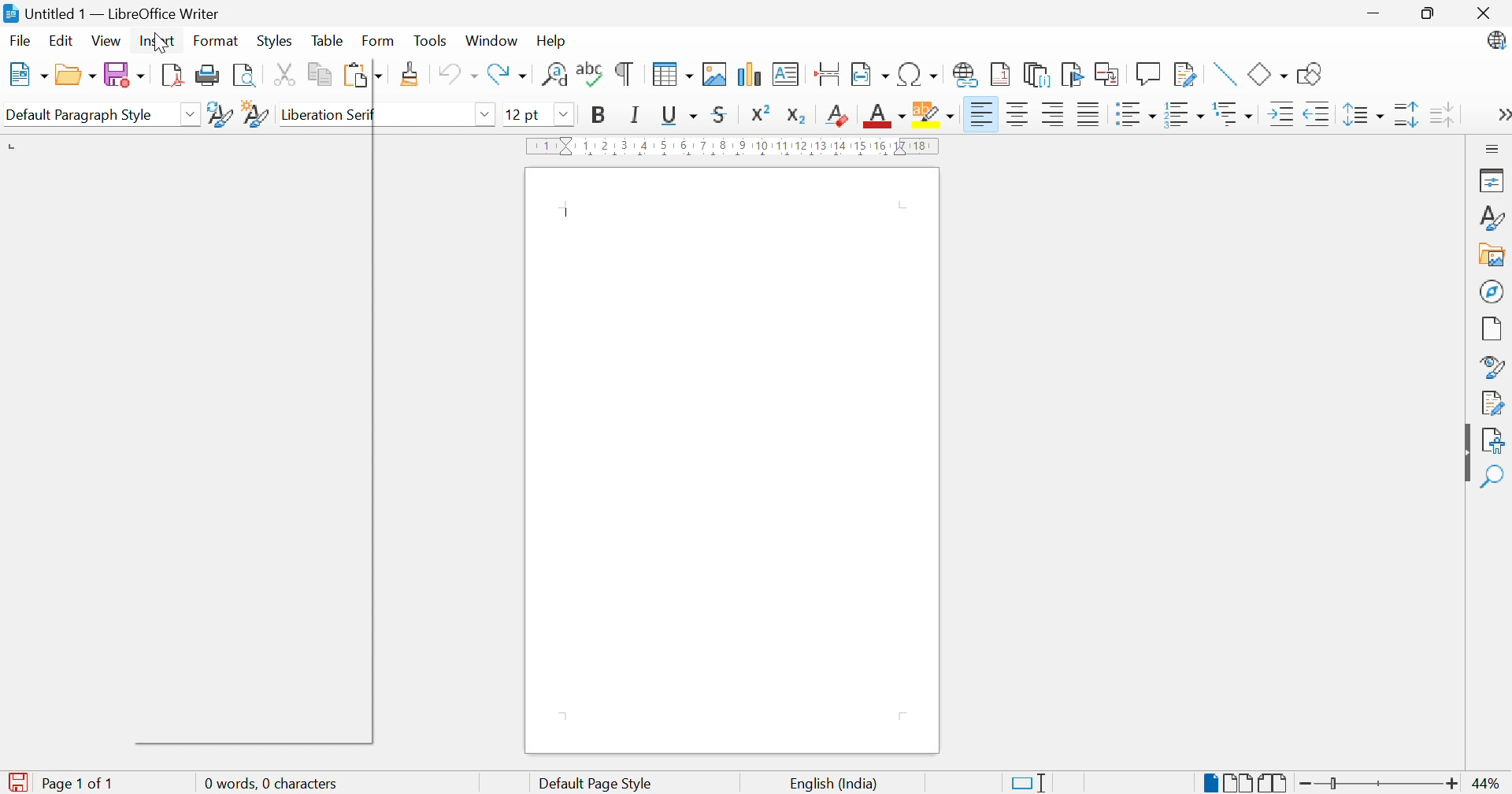 The height and width of the screenshot is (794, 1512). What do you see at coordinates (552, 76) in the screenshot?
I see `Find and replace` at bounding box center [552, 76].